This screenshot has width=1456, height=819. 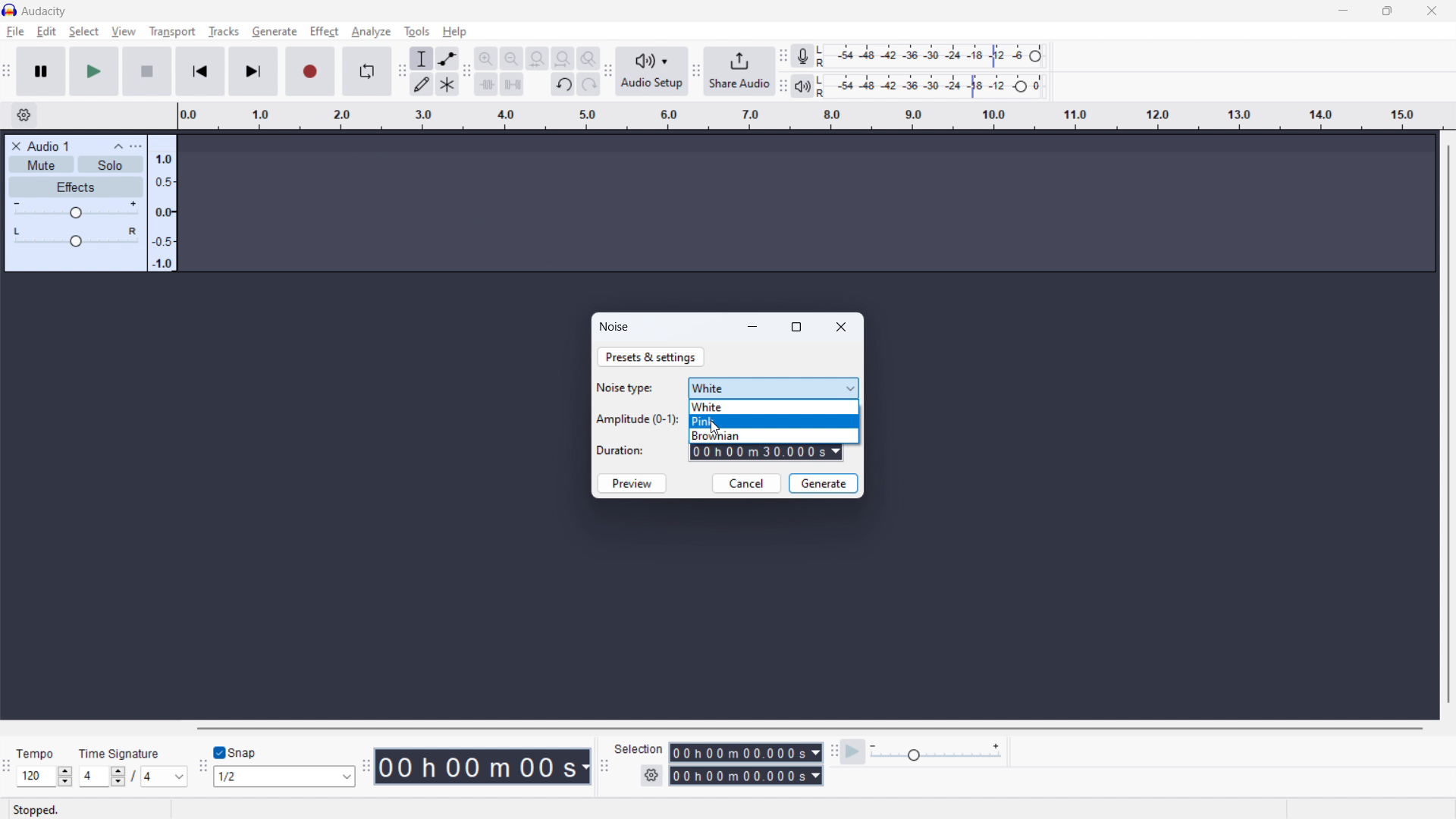 What do you see at coordinates (467, 72) in the screenshot?
I see `edit toolbar` at bounding box center [467, 72].